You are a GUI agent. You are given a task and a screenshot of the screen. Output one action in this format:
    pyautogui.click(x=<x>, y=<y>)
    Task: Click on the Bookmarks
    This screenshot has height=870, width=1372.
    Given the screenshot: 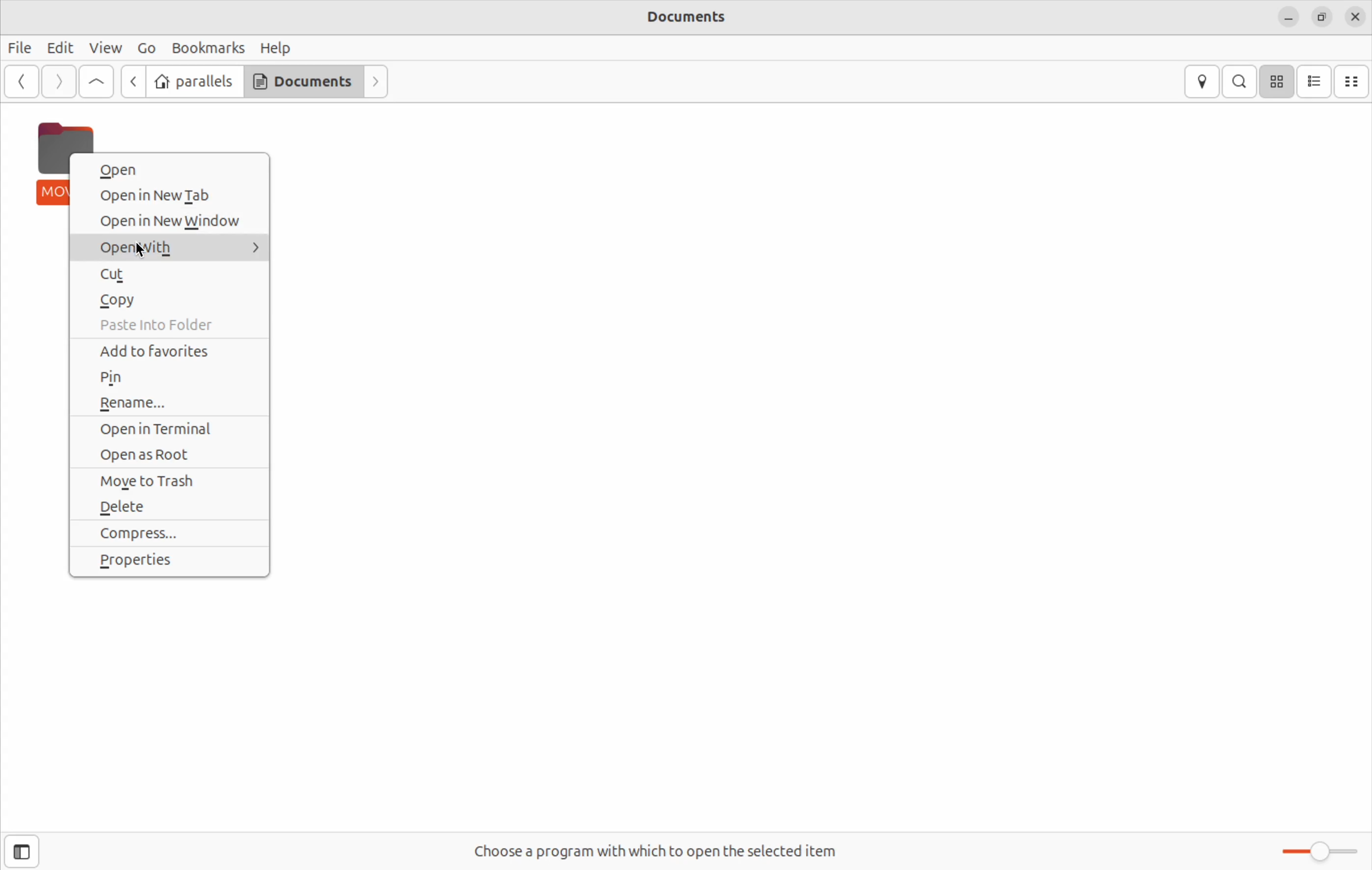 What is the action you would take?
    pyautogui.click(x=208, y=48)
    